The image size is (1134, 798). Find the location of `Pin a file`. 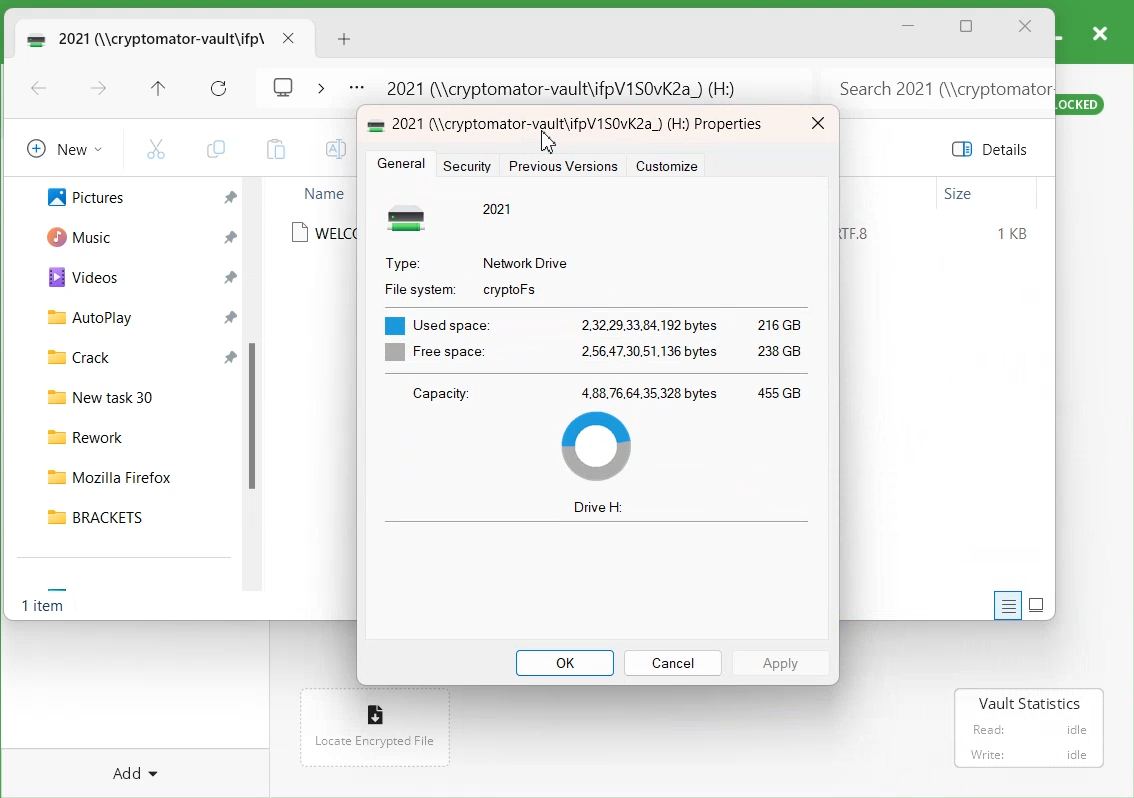

Pin a file is located at coordinates (232, 277).